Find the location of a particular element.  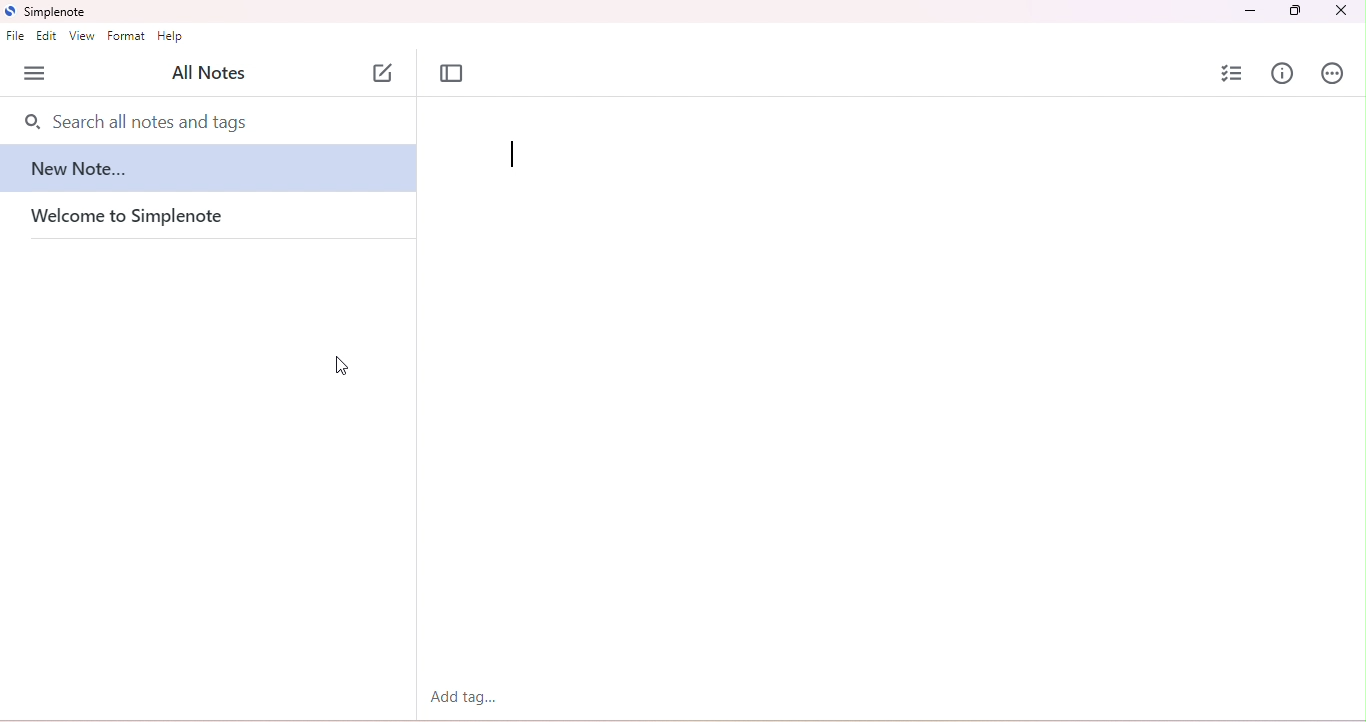

insert checklist is located at coordinates (1234, 74).